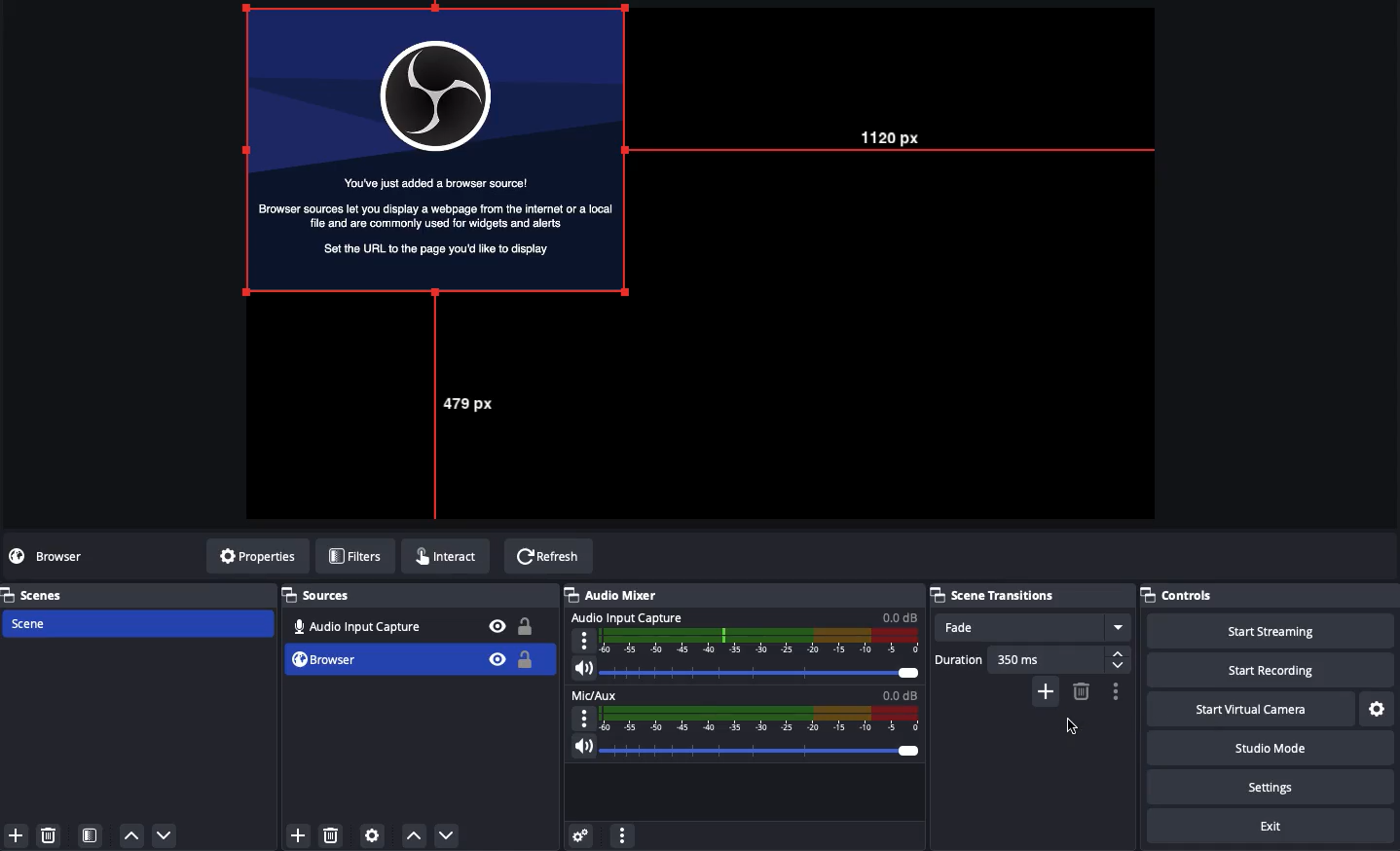 This screenshot has height=851, width=1400. Describe the element at coordinates (436, 150) in the screenshot. I see `Screen` at that location.